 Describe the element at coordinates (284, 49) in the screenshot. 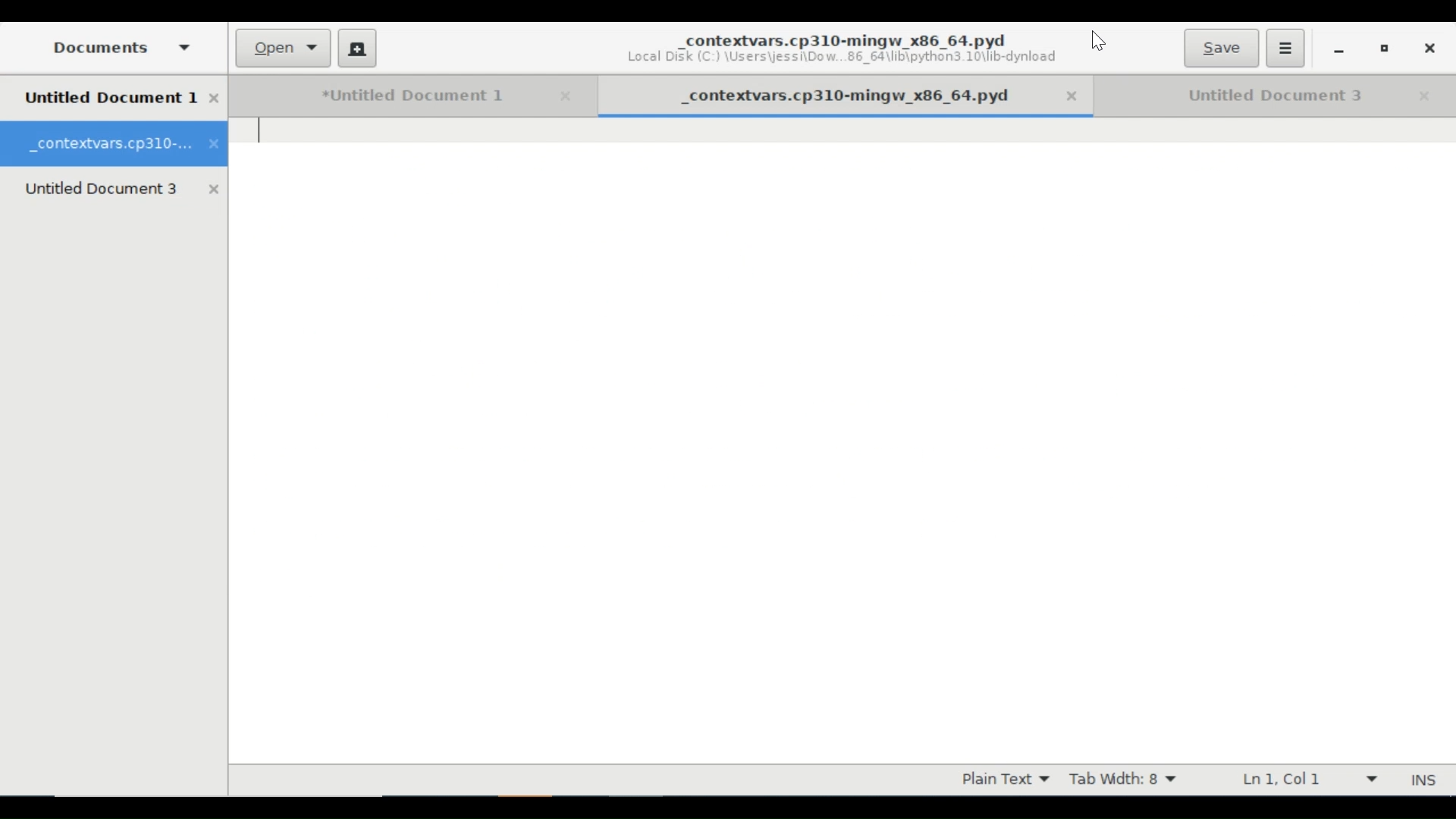

I see `Open` at that location.